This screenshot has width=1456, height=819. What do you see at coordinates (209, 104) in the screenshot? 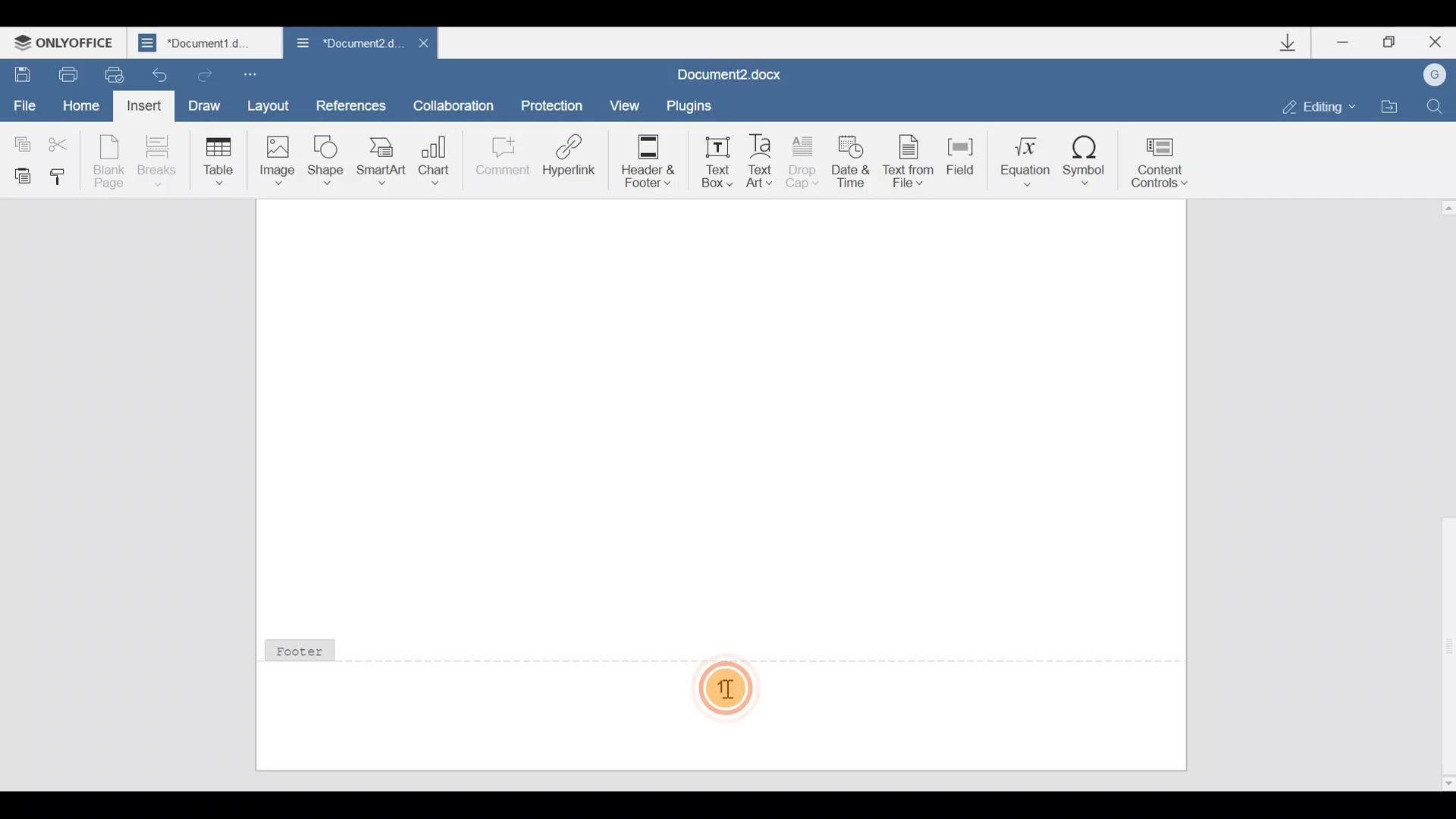
I see `Draw` at bounding box center [209, 104].